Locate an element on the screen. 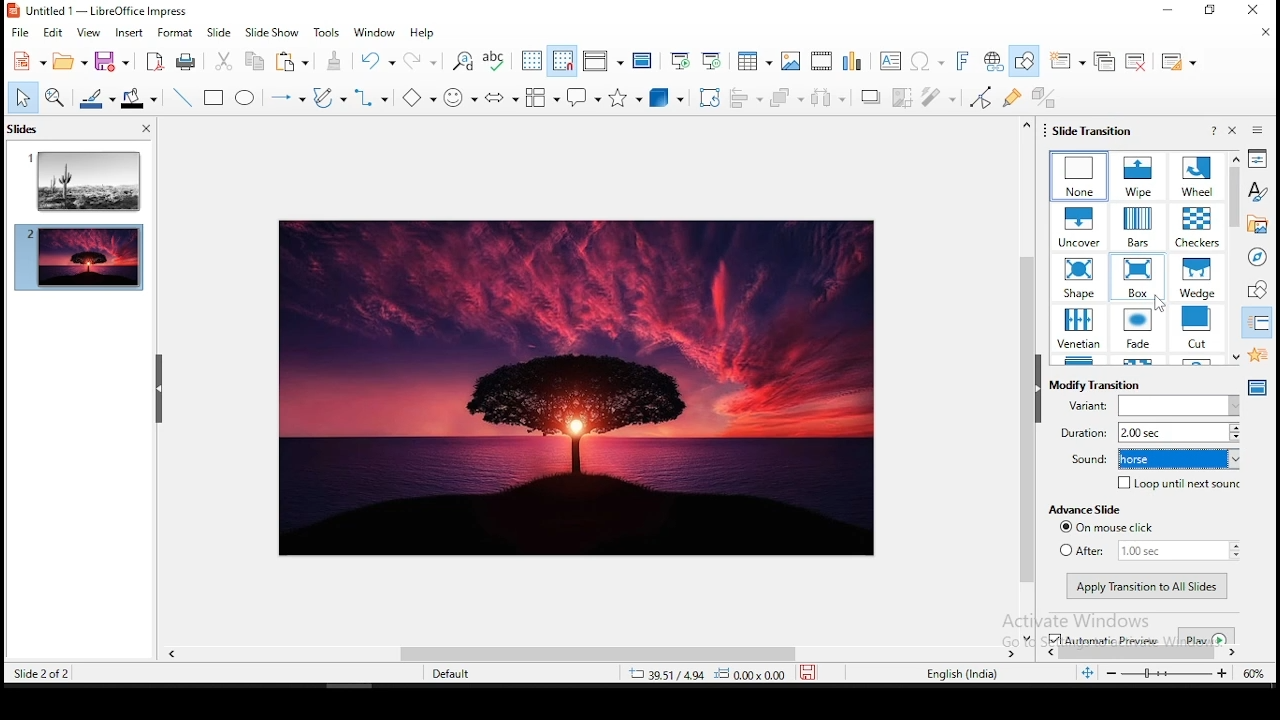 The height and width of the screenshot is (720, 1280). slide transition sound is located at coordinates (1151, 458).